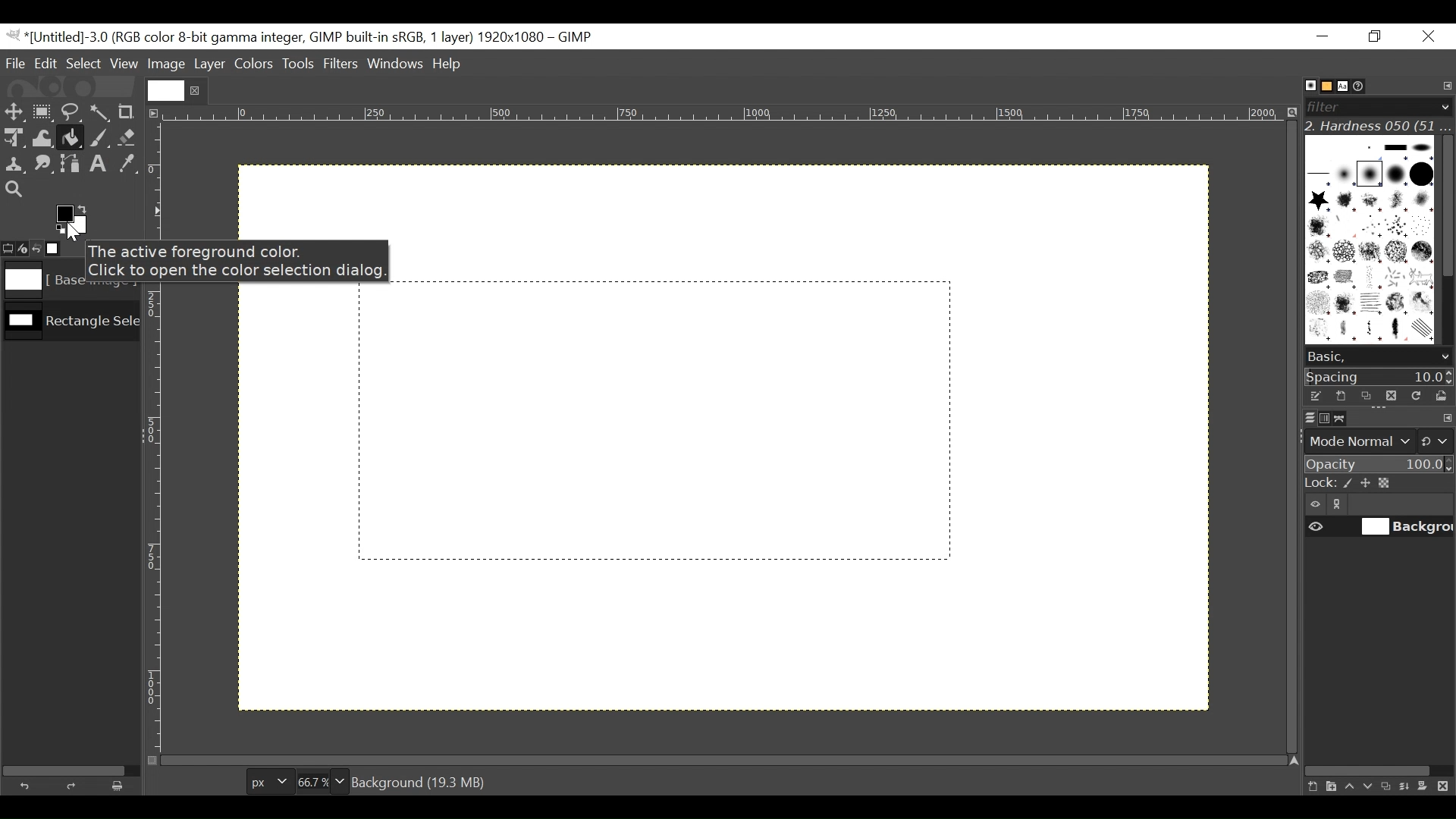 Image resolution: width=1456 pixels, height=819 pixels. Describe the element at coordinates (1345, 85) in the screenshot. I see `Fonts` at that location.